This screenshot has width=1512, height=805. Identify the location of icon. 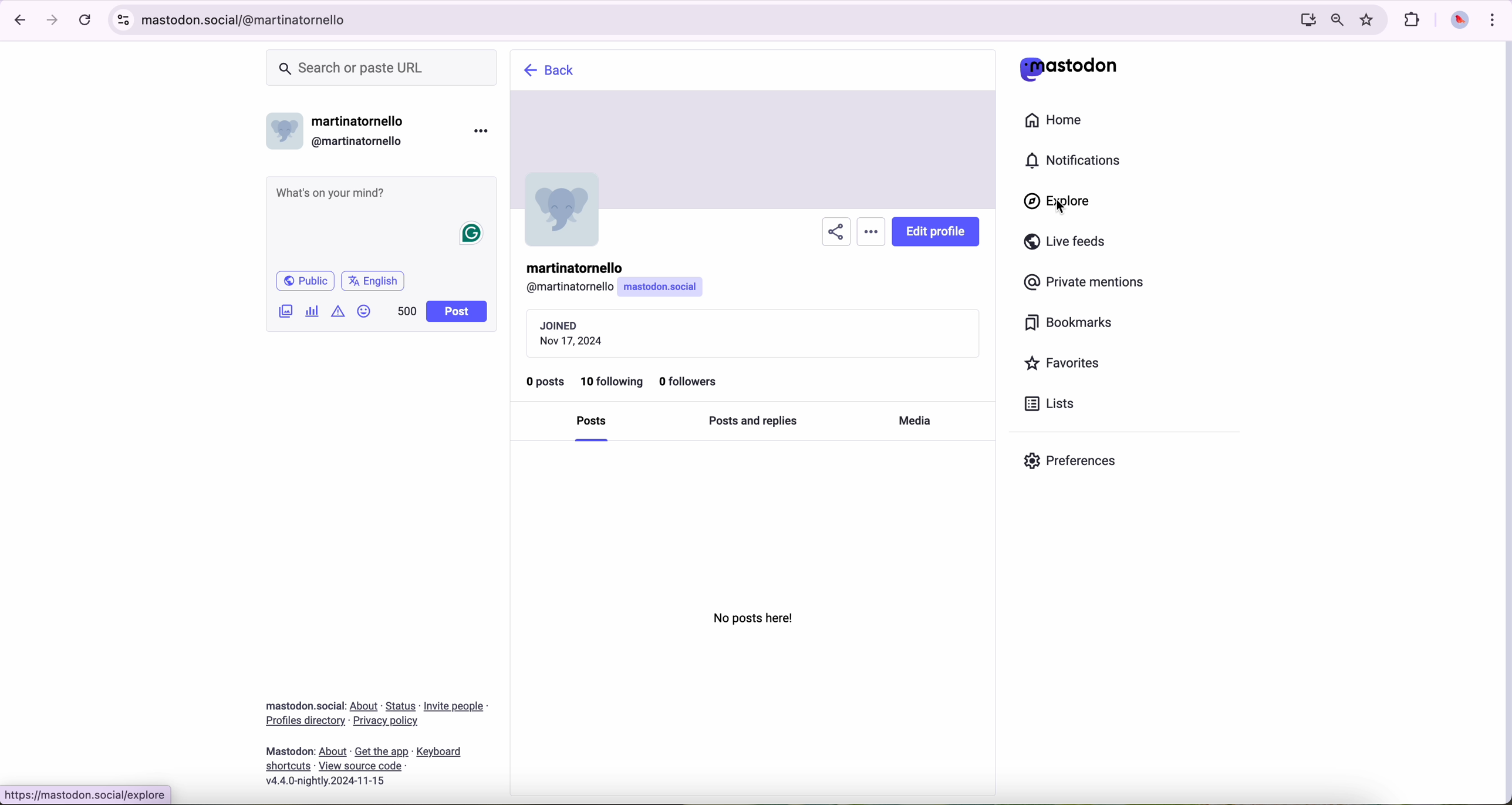
(338, 311).